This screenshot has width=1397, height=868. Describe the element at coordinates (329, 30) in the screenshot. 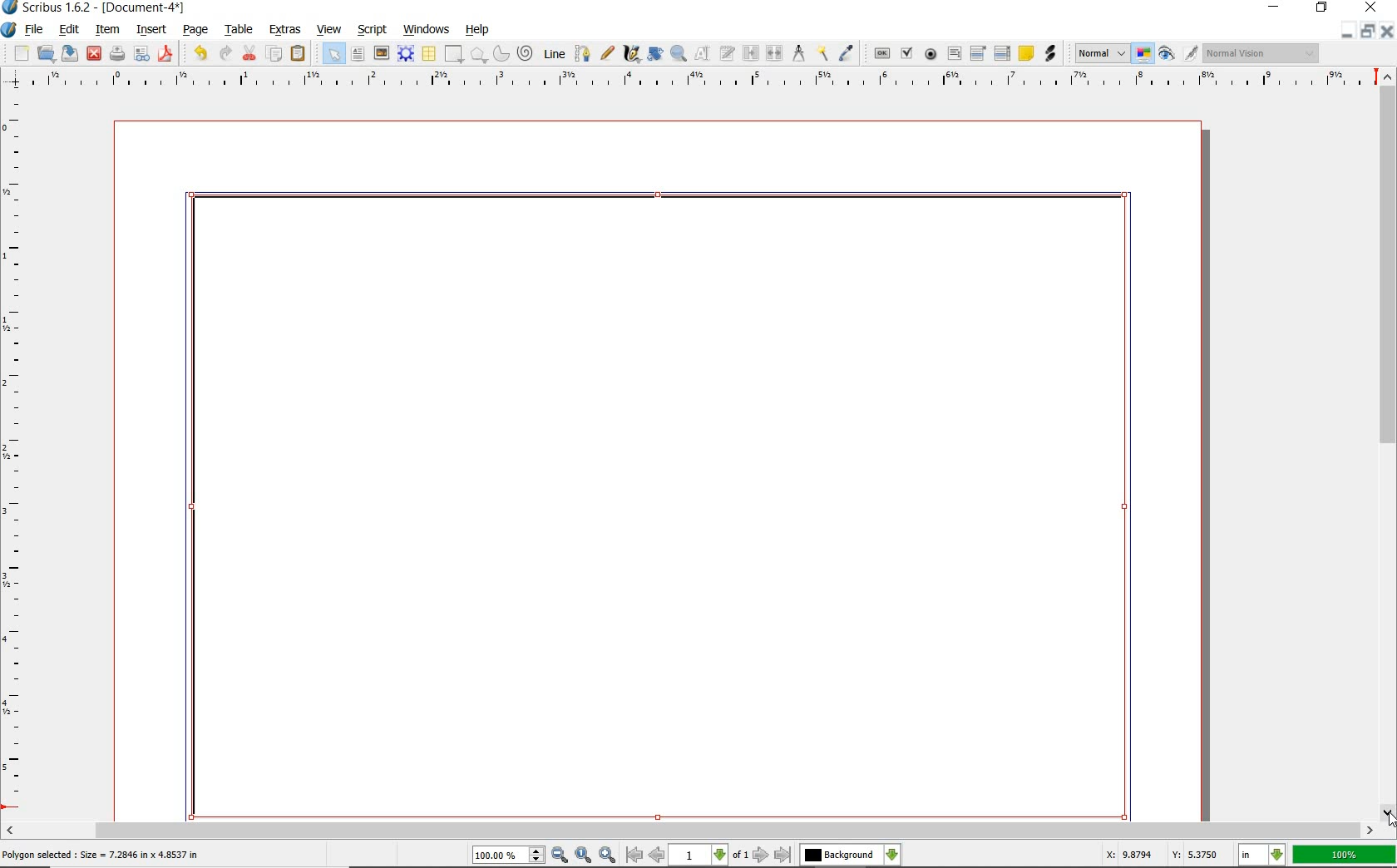

I see `view` at that location.